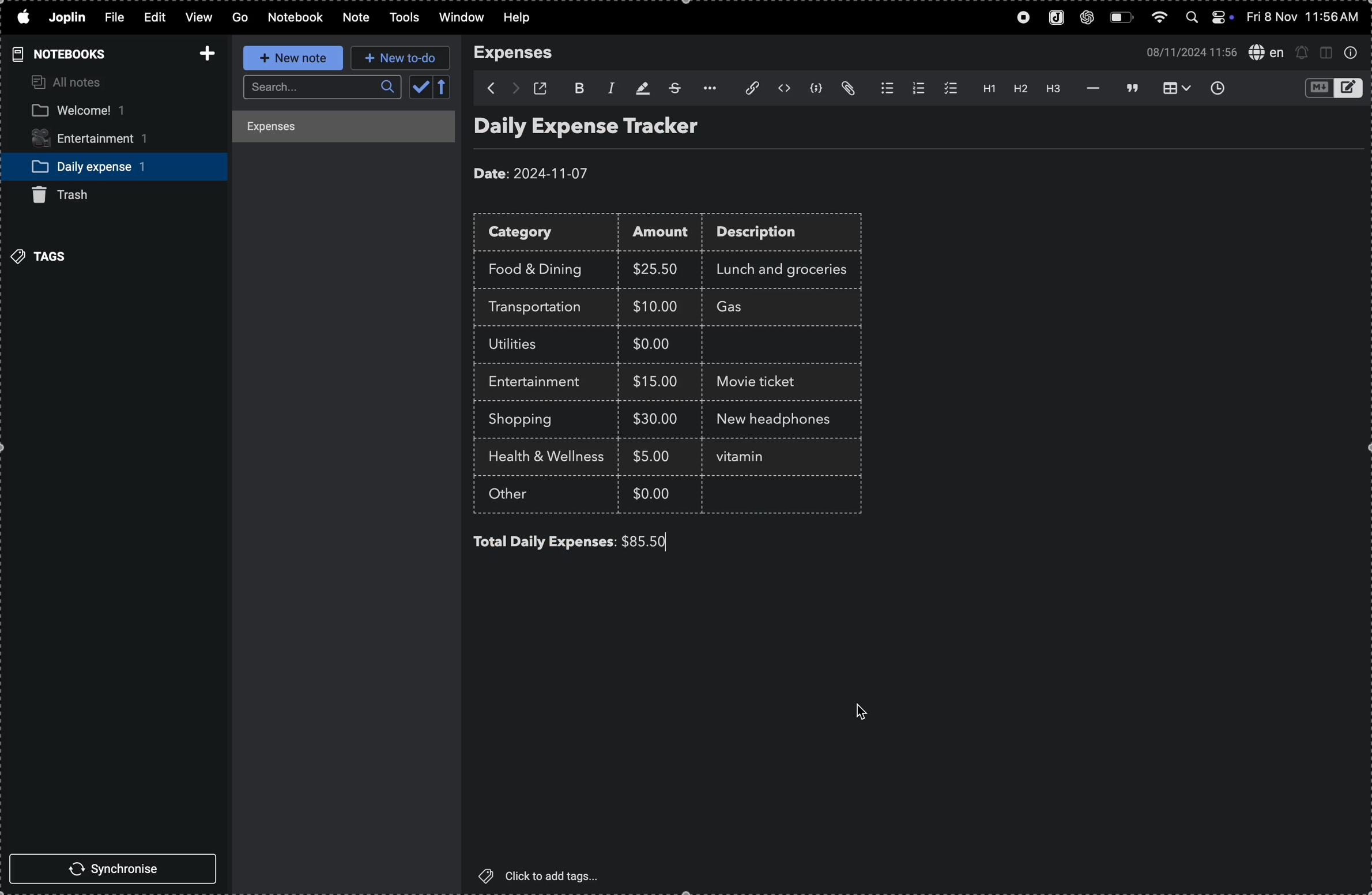  Describe the element at coordinates (485, 88) in the screenshot. I see `backward` at that location.